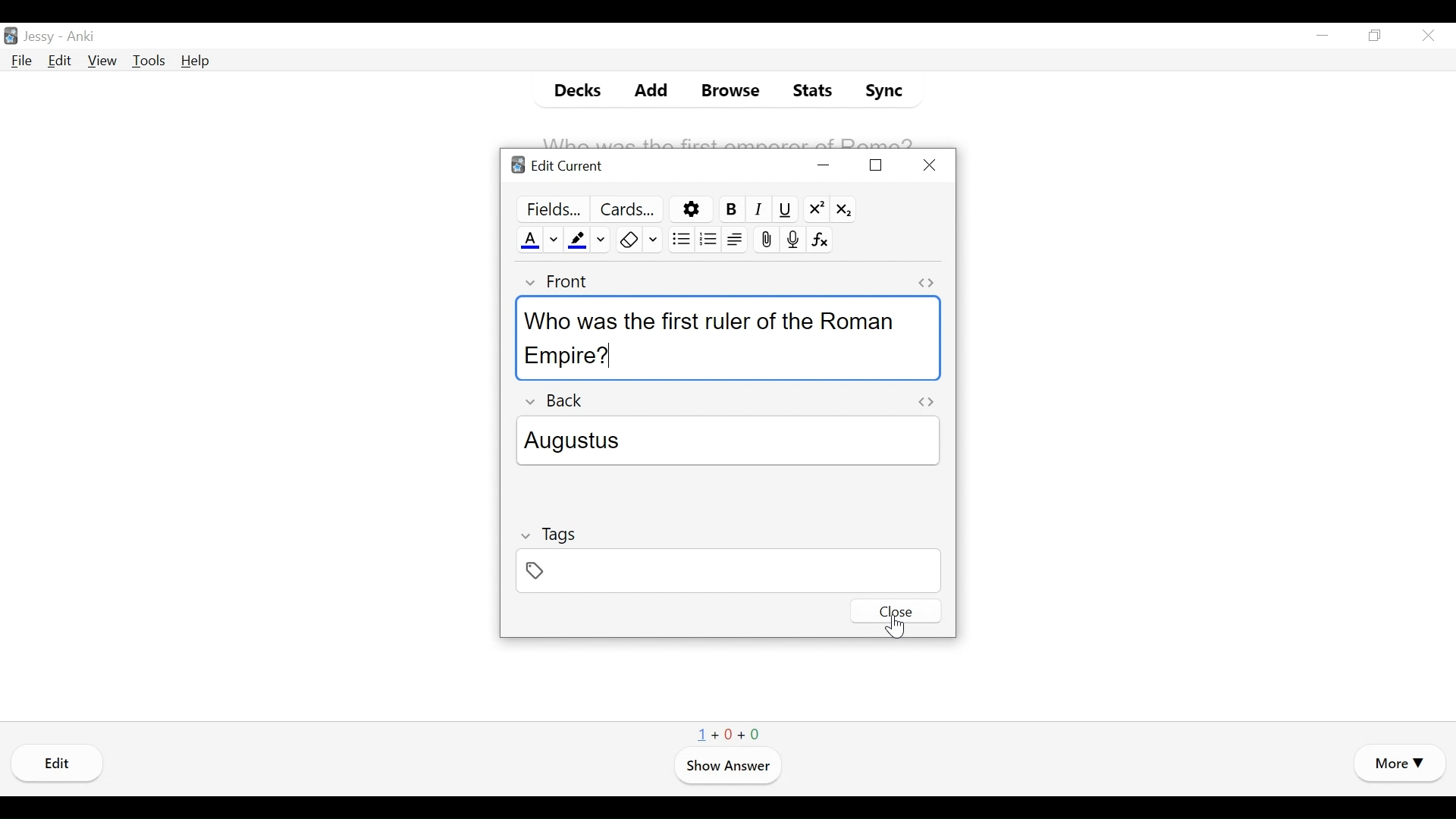  I want to click on Close, so click(929, 165).